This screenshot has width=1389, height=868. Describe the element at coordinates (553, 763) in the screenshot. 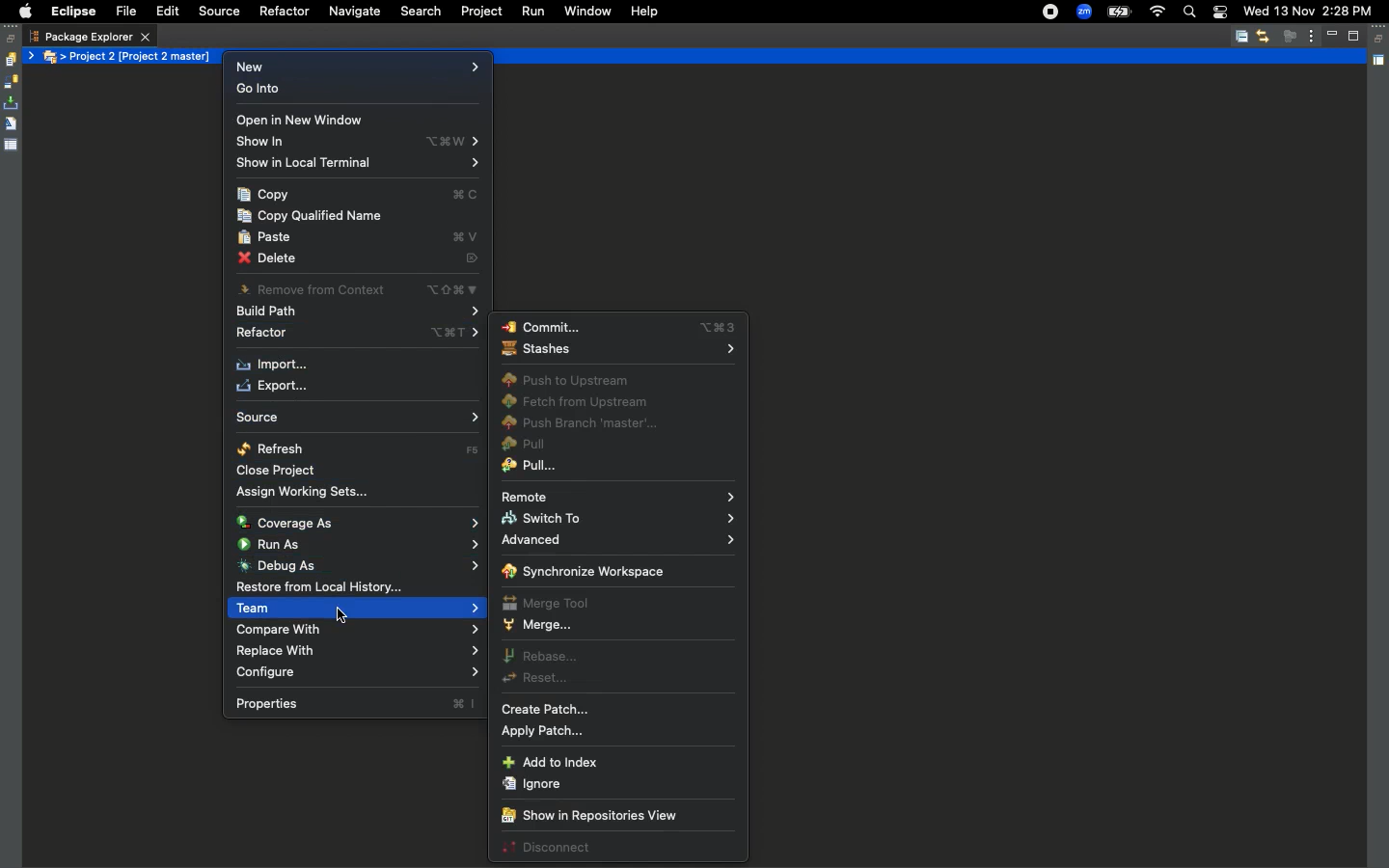

I see `Add to index` at that location.